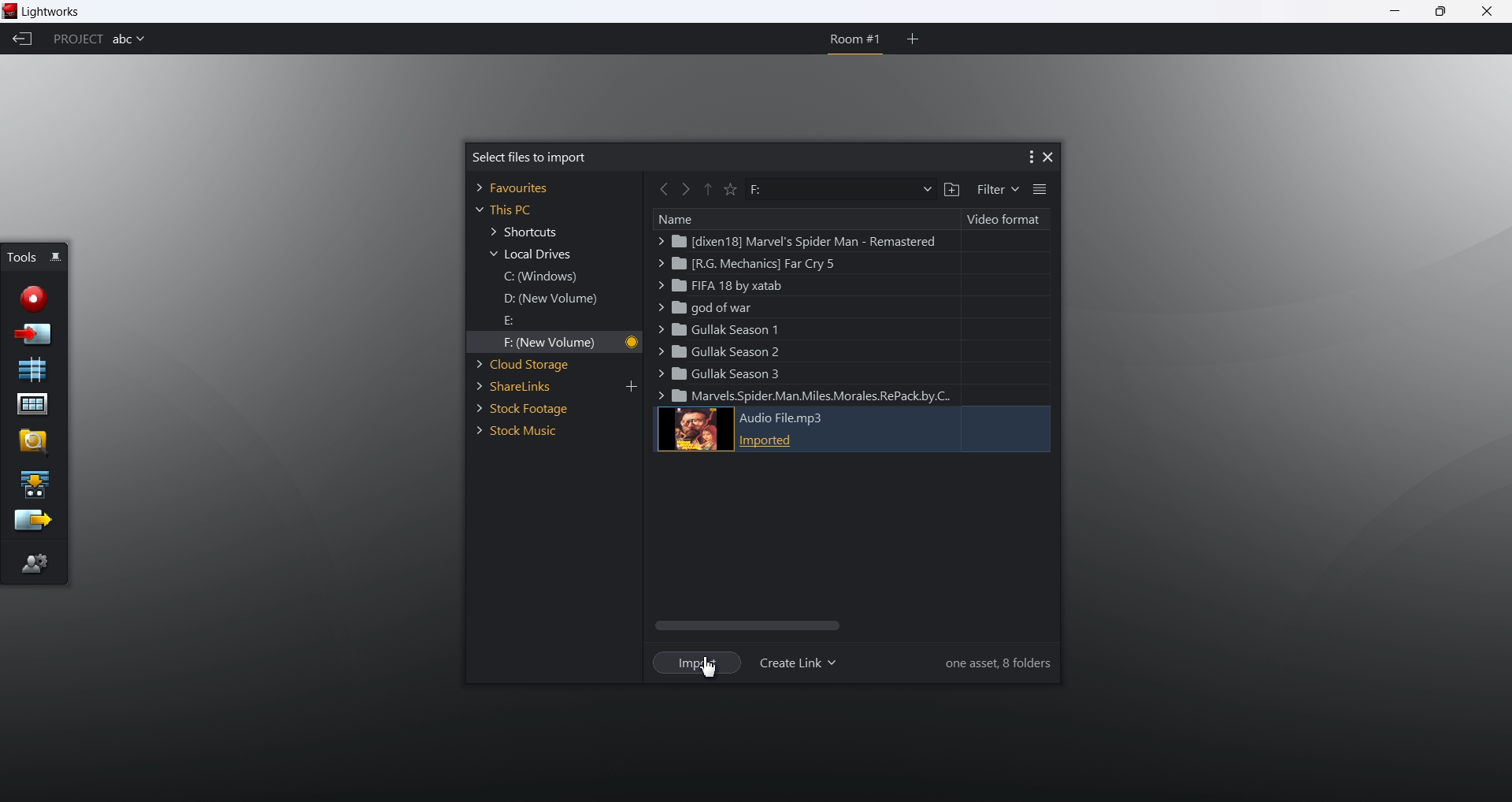 This screenshot has width=1512, height=802. What do you see at coordinates (747, 626) in the screenshot?
I see `scroll bar` at bounding box center [747, 626].